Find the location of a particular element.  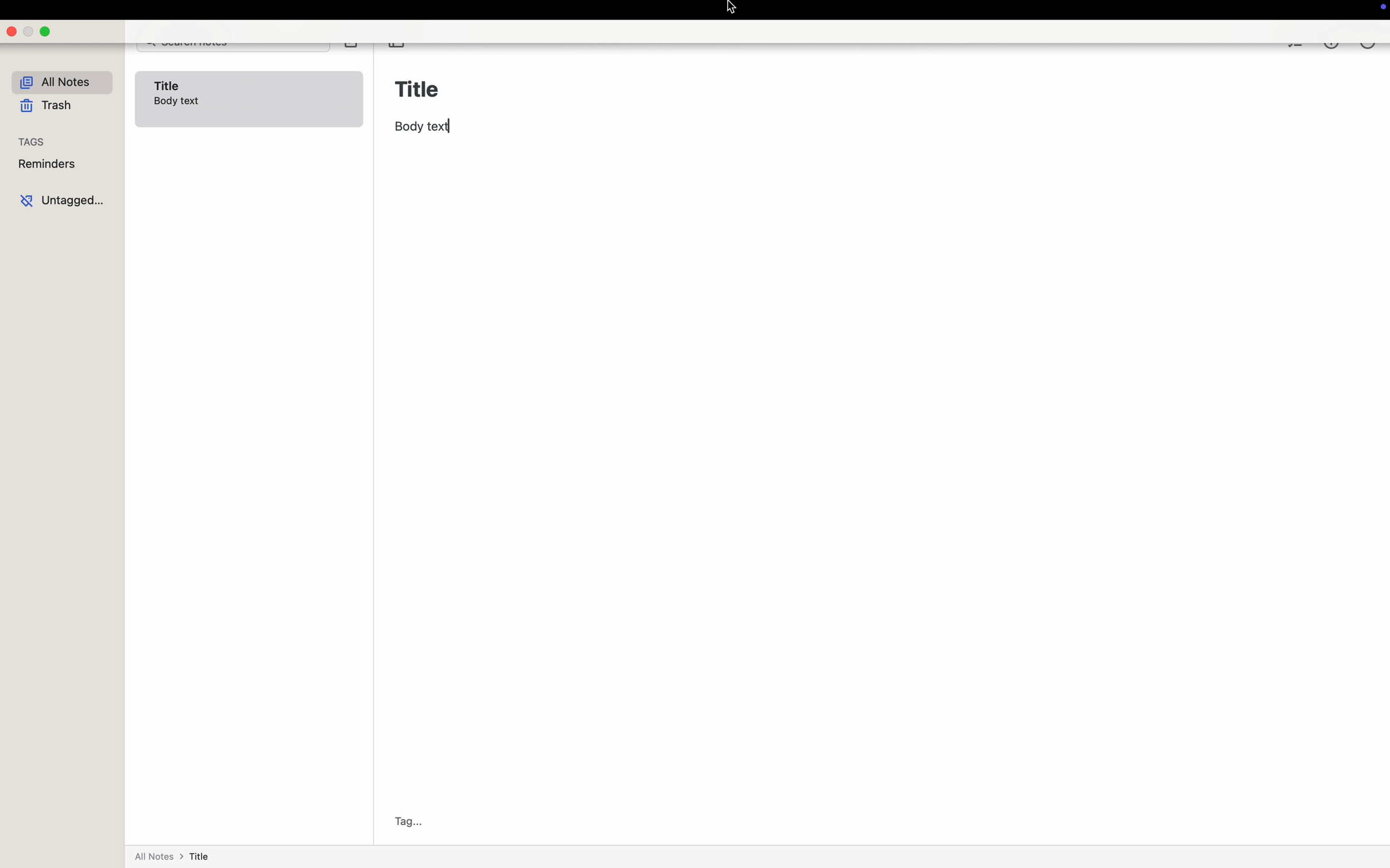

reminders is located at coordinates (61, 165).